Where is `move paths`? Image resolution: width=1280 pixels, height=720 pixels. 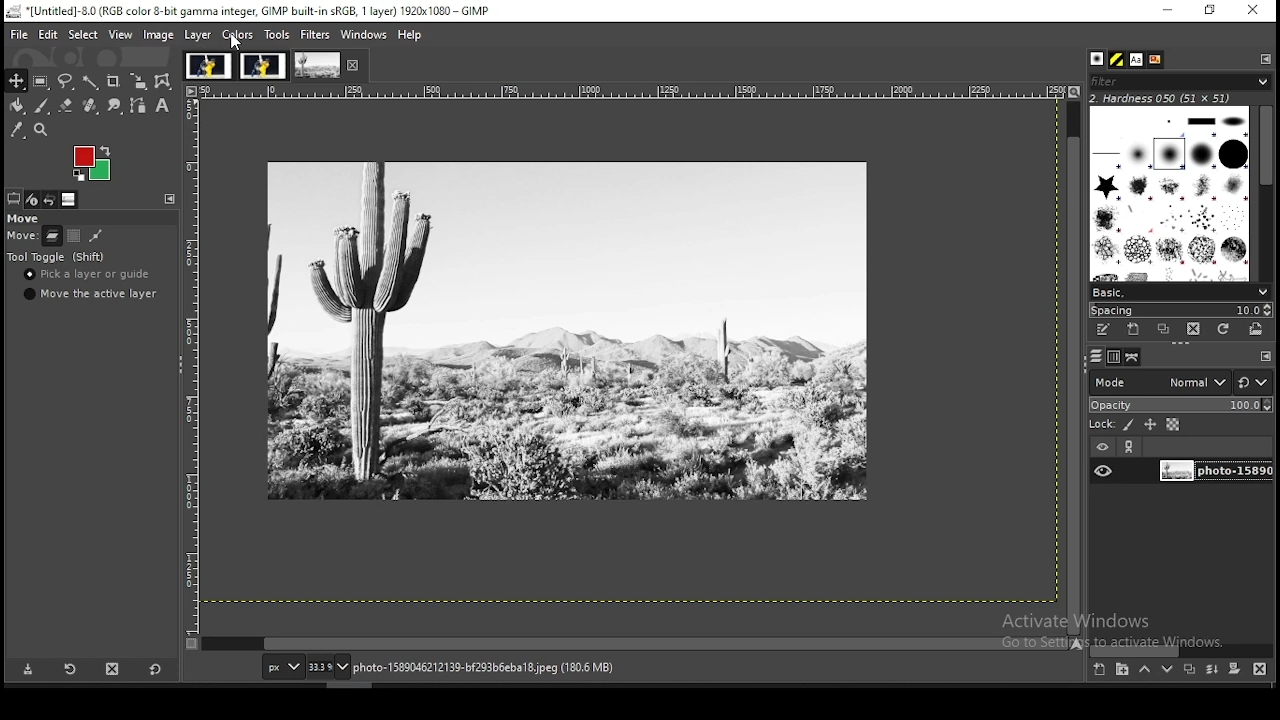
move paths is located at coordinates (95, 236).